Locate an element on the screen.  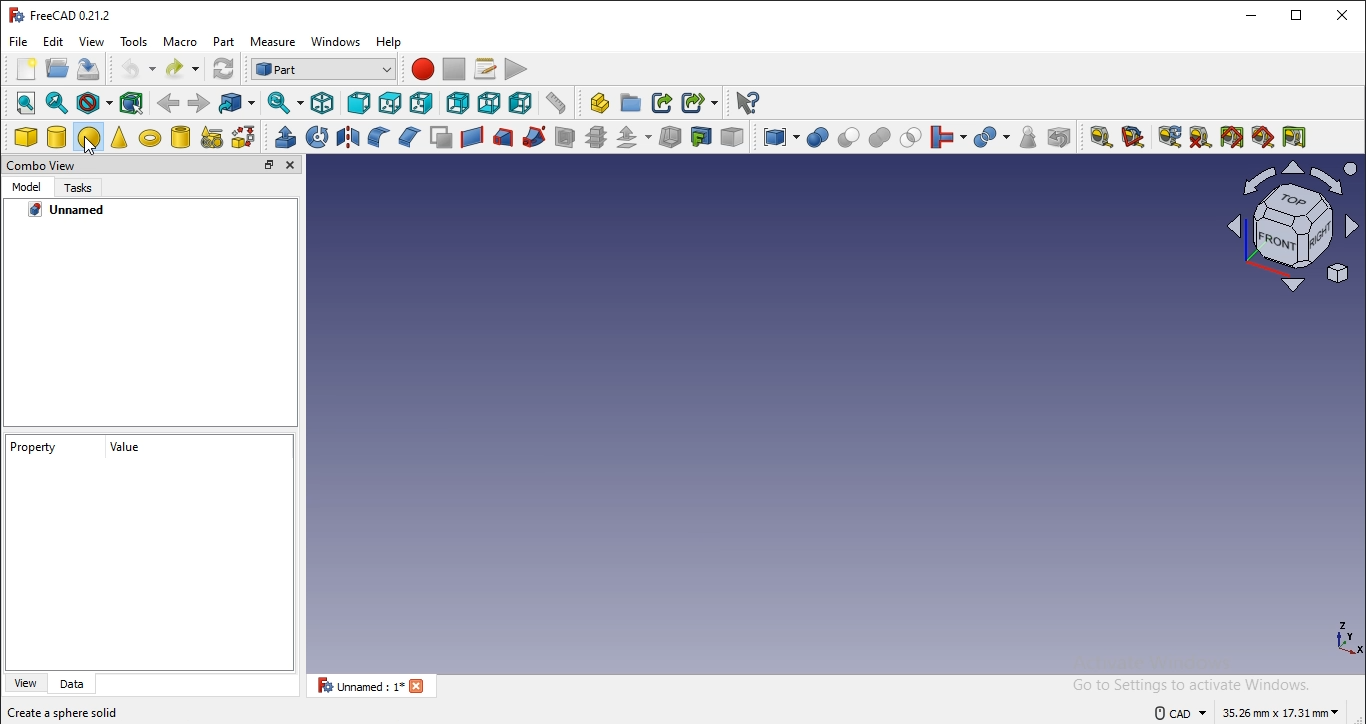
make link is located at coordinates (663, 103).